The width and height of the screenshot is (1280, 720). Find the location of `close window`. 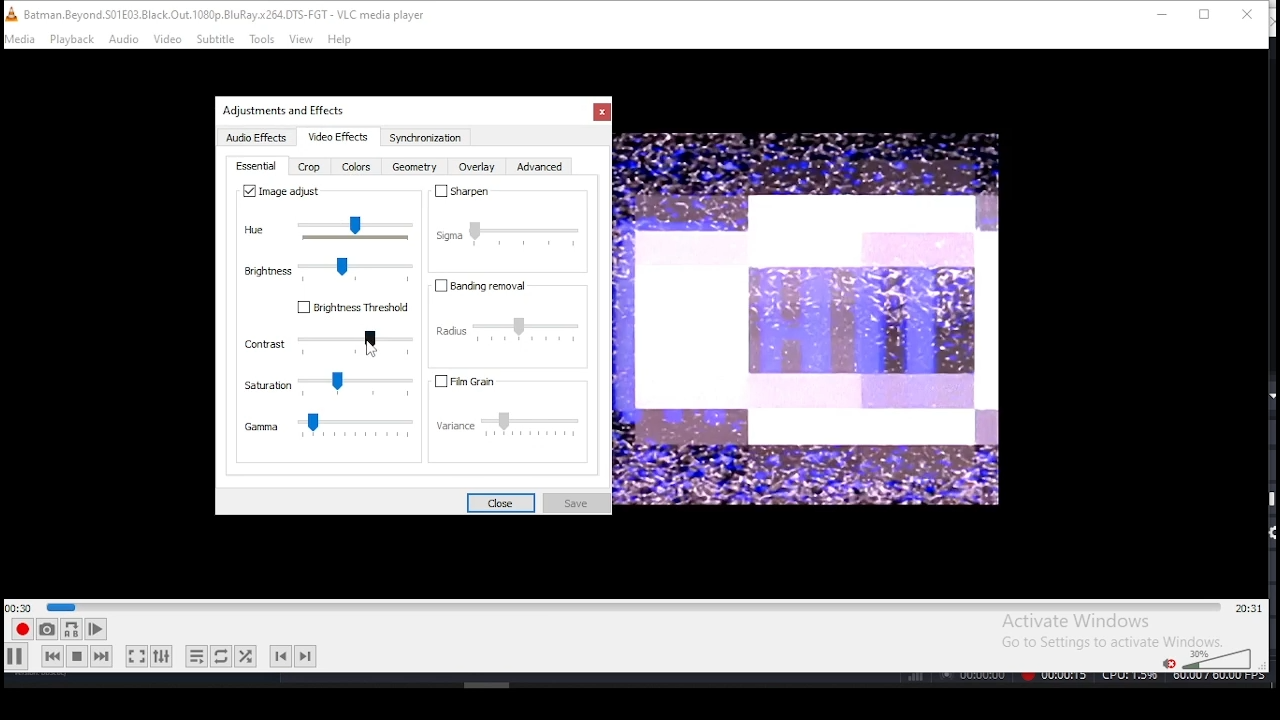

close window is located at coordinates (1248, 16).